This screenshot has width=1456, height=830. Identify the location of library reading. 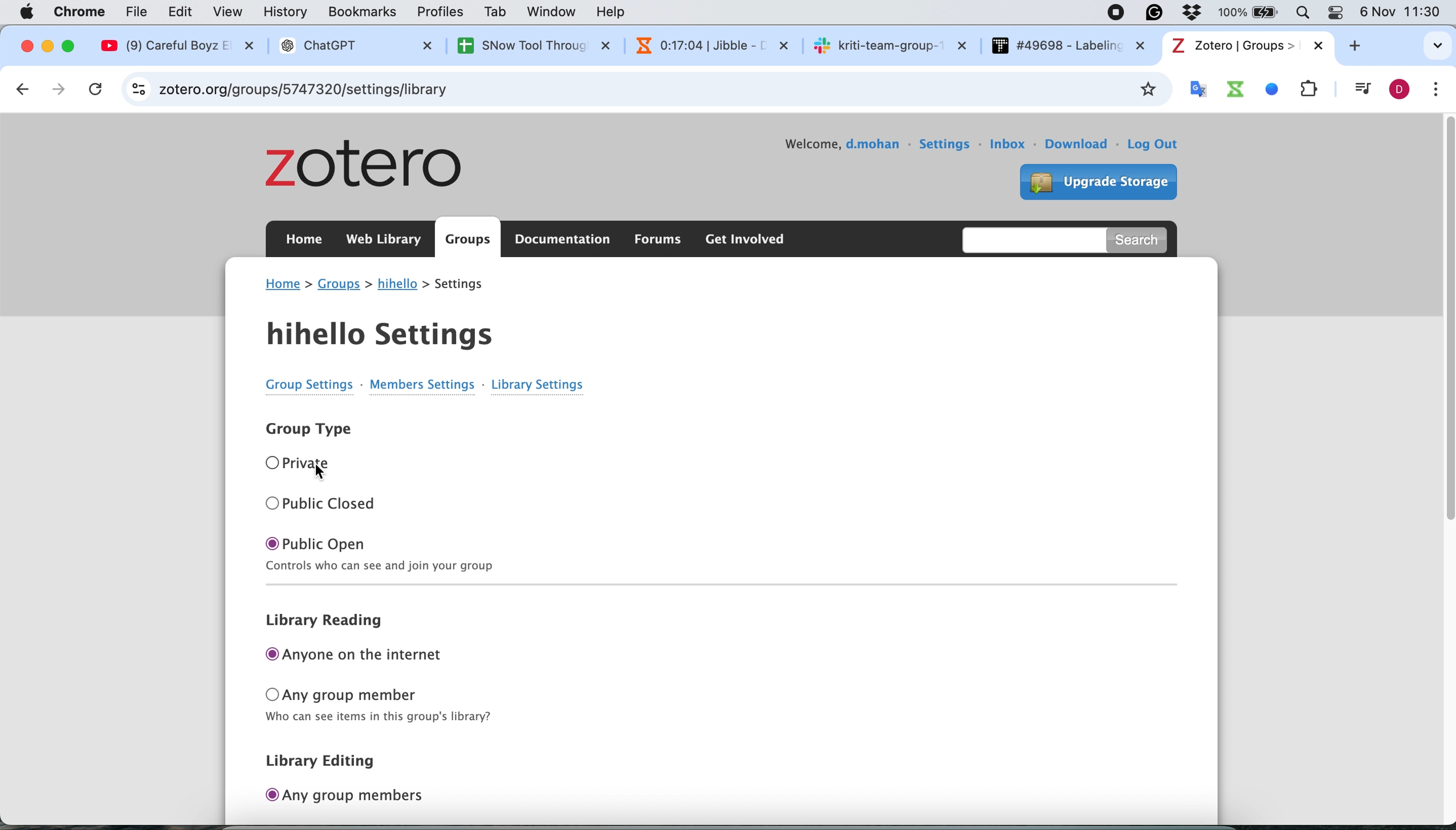
(334, 622).